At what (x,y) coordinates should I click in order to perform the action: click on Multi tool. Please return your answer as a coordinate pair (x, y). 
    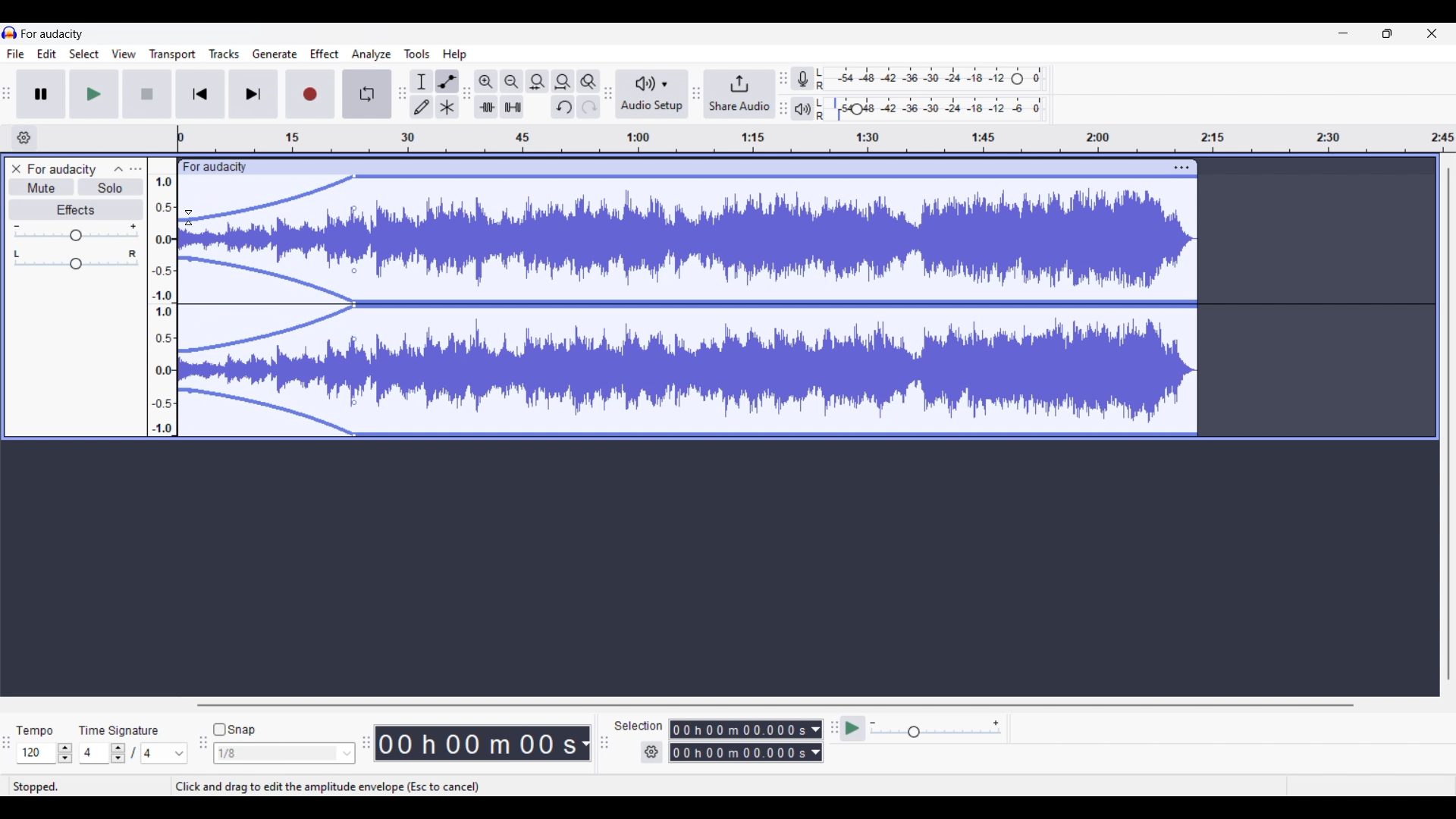
    Looking at the image, I should click on (447, 107).